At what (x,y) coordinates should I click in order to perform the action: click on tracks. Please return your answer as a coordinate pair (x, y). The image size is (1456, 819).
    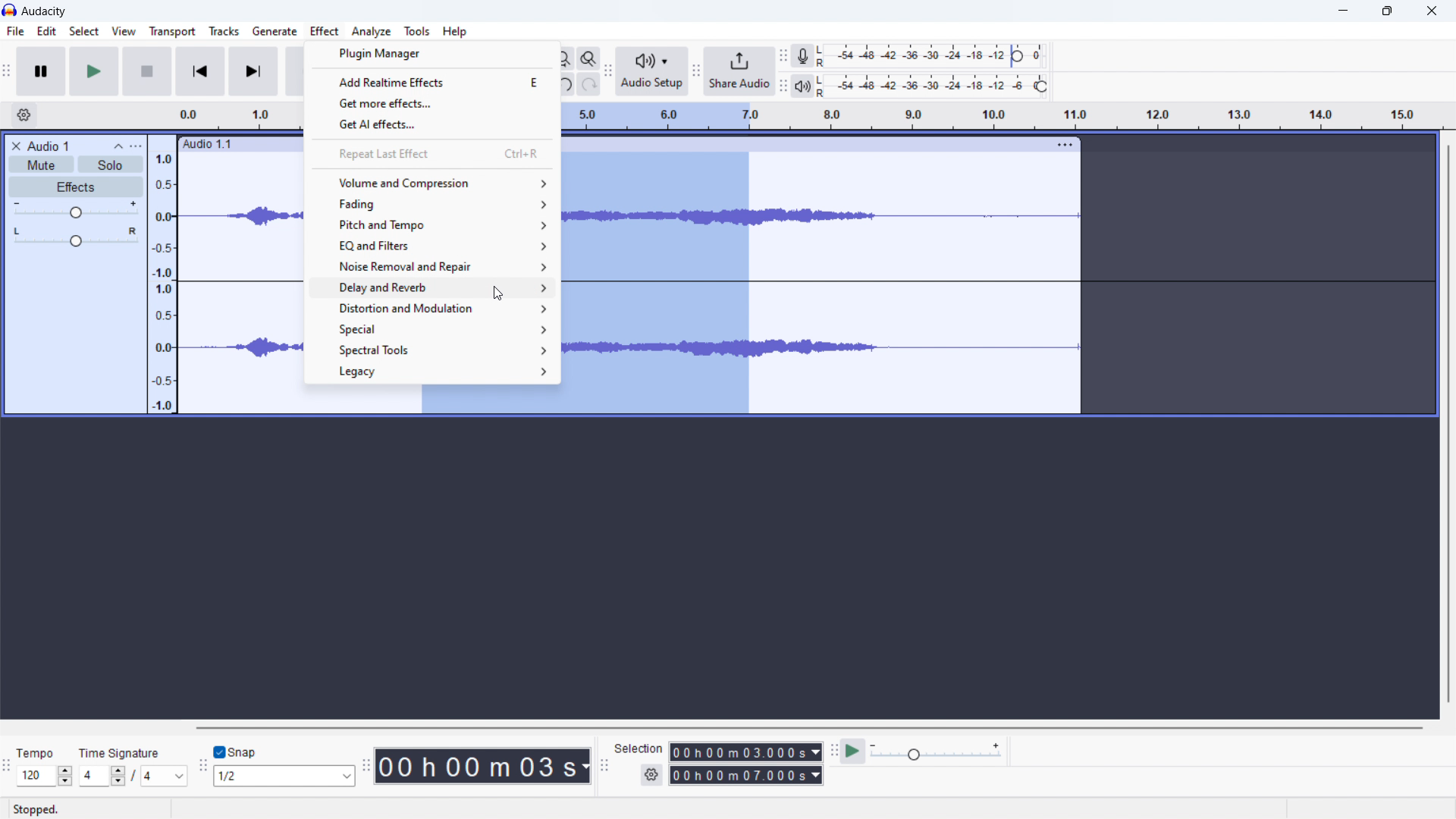
    Looking at the image, I should click on (224, 31).